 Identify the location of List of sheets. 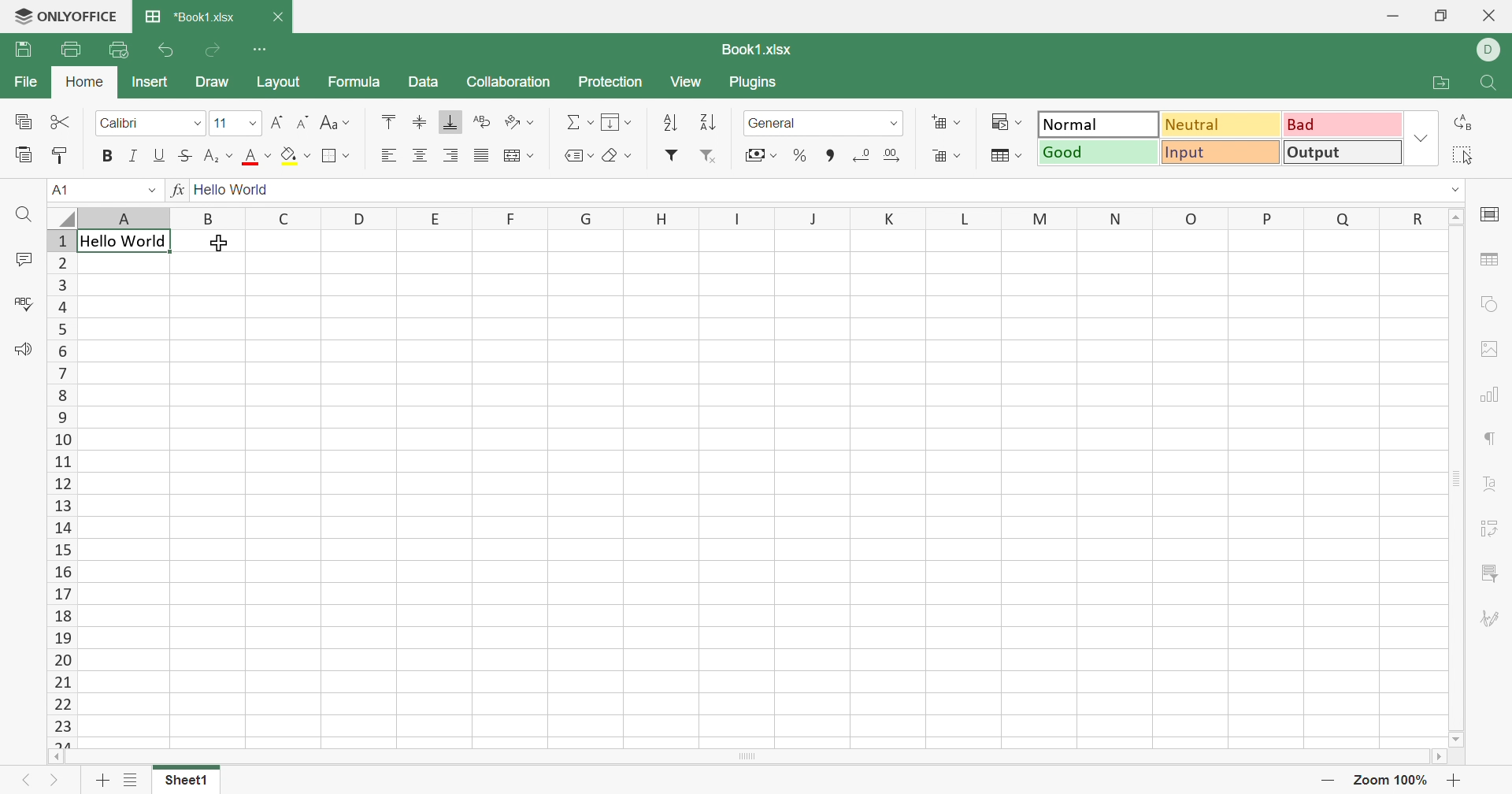
(132, 783).